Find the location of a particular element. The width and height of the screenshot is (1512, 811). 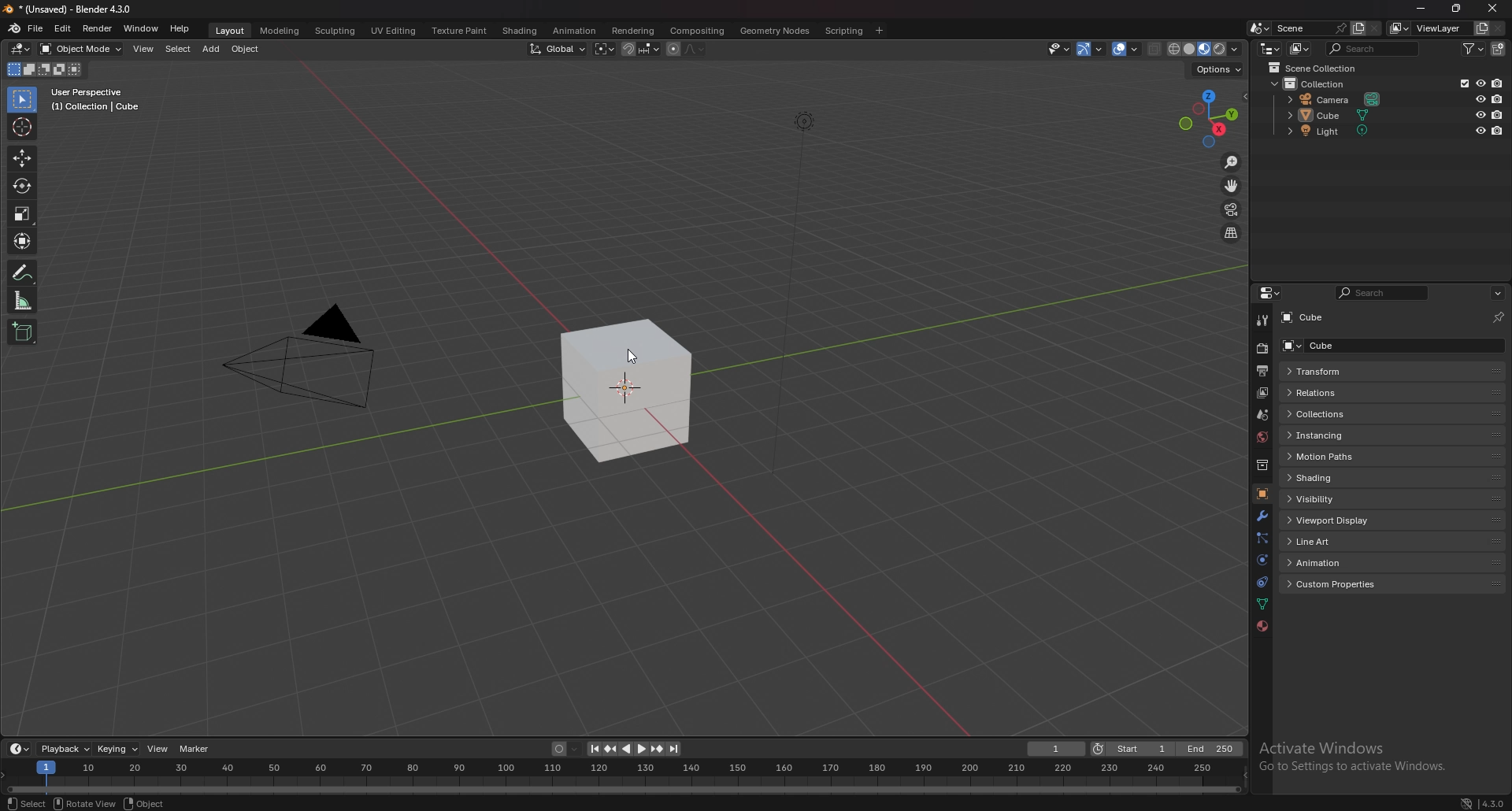

file is located at coordinates (36, 28).